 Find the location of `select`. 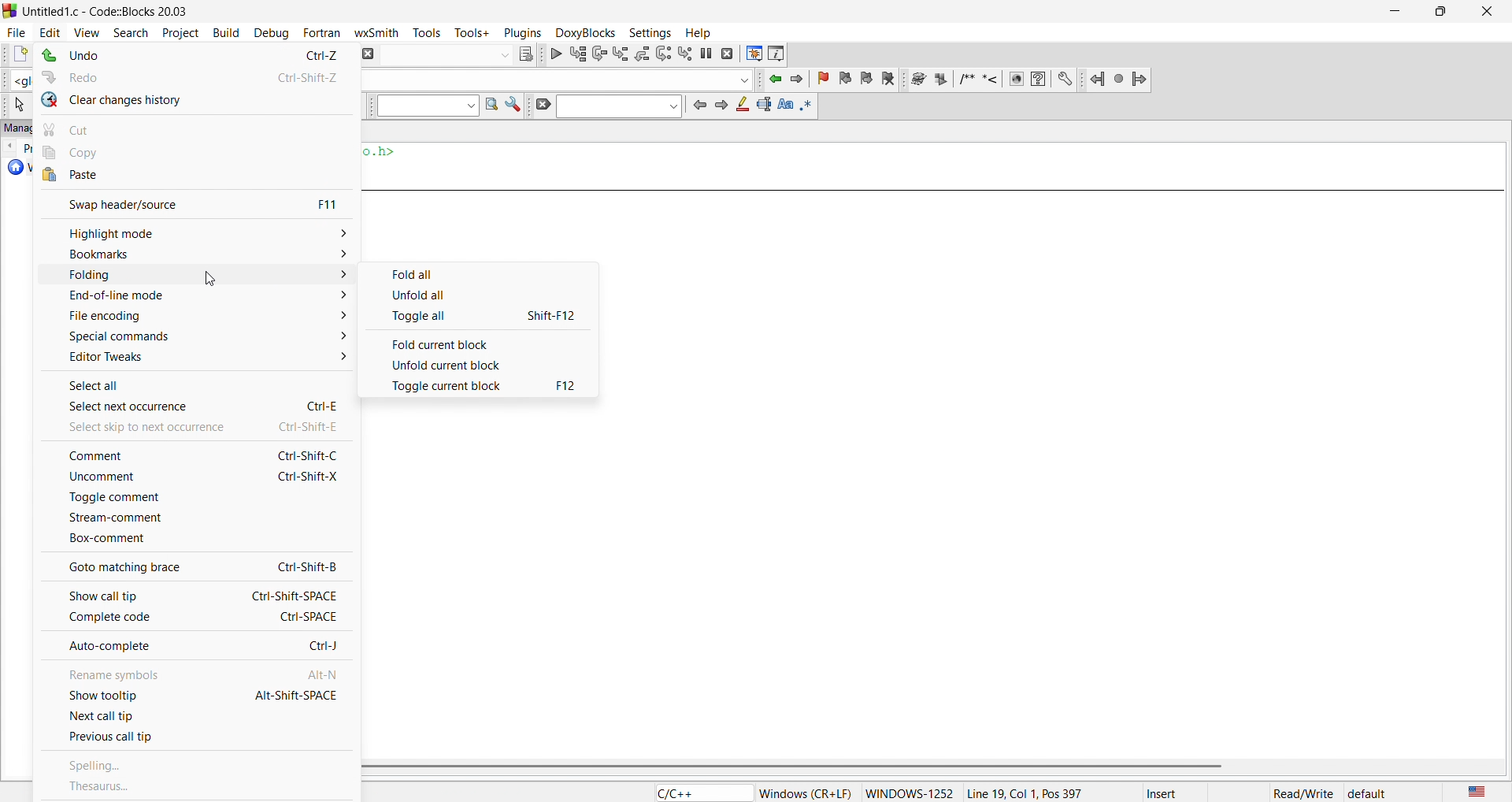

select is located at coordinates (17, 105).